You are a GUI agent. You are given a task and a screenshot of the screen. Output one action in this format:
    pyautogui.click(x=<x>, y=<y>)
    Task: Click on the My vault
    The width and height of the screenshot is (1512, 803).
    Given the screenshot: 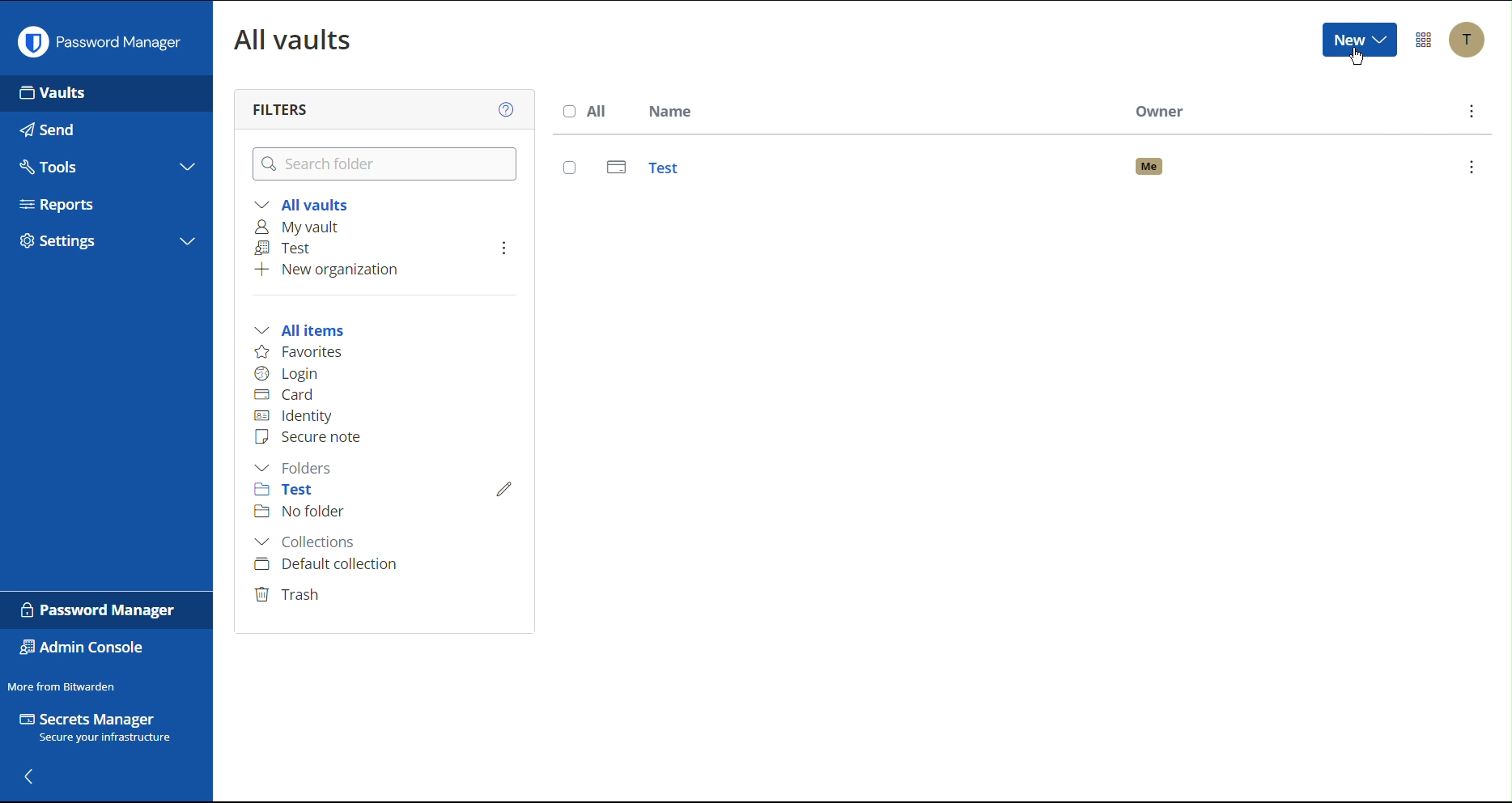 What is the action you would take?
    pyautogui.click(x=307, y=228)
    